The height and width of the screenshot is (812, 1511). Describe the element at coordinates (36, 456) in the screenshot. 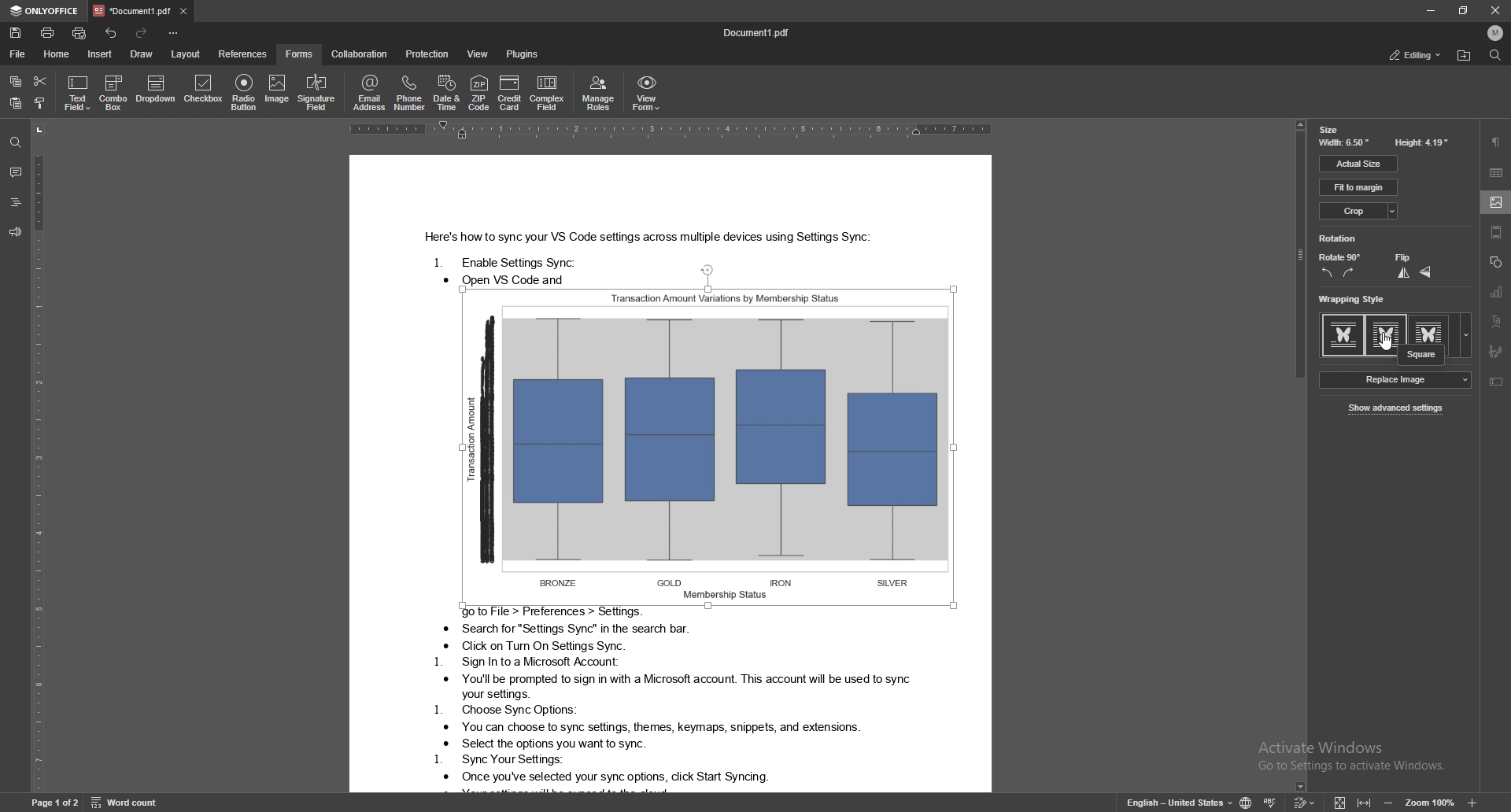

I see `vertical scale` at that location.